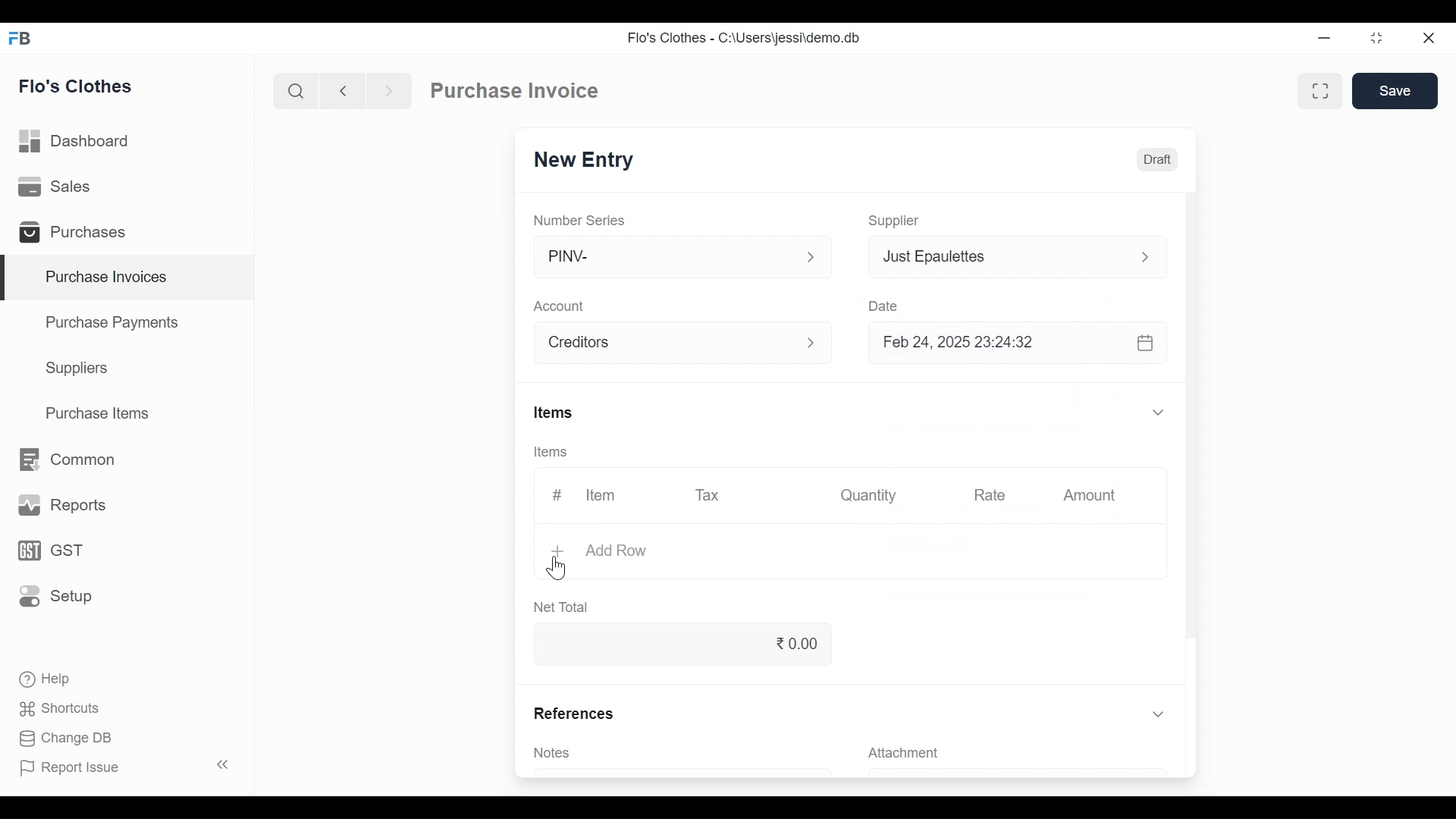 Image resolution: width=1456 pixels, height=819 pixels. I want to click on Purchase Invoices, so click(130, 278).